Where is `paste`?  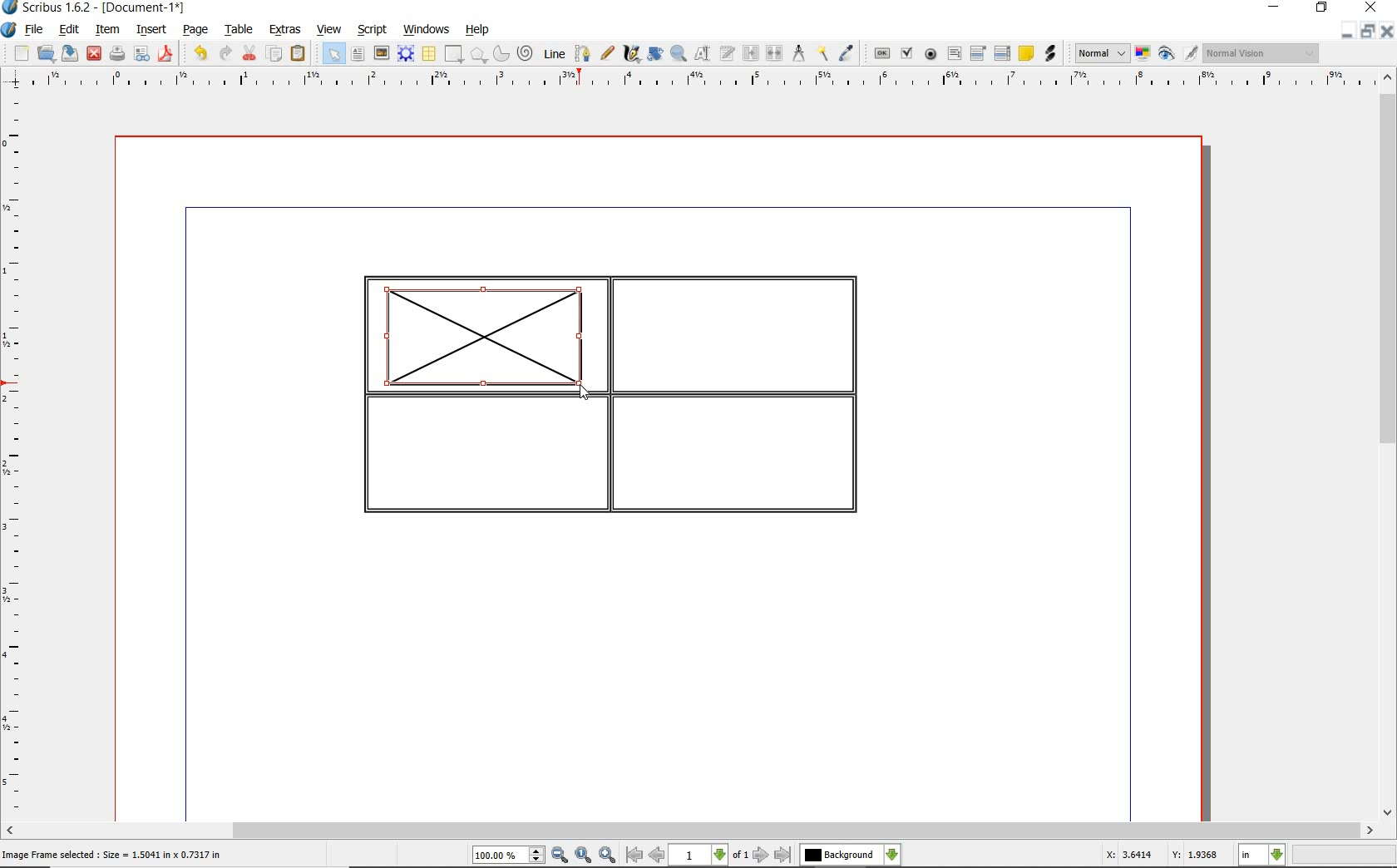
paste is located at coordinates (298, 53).